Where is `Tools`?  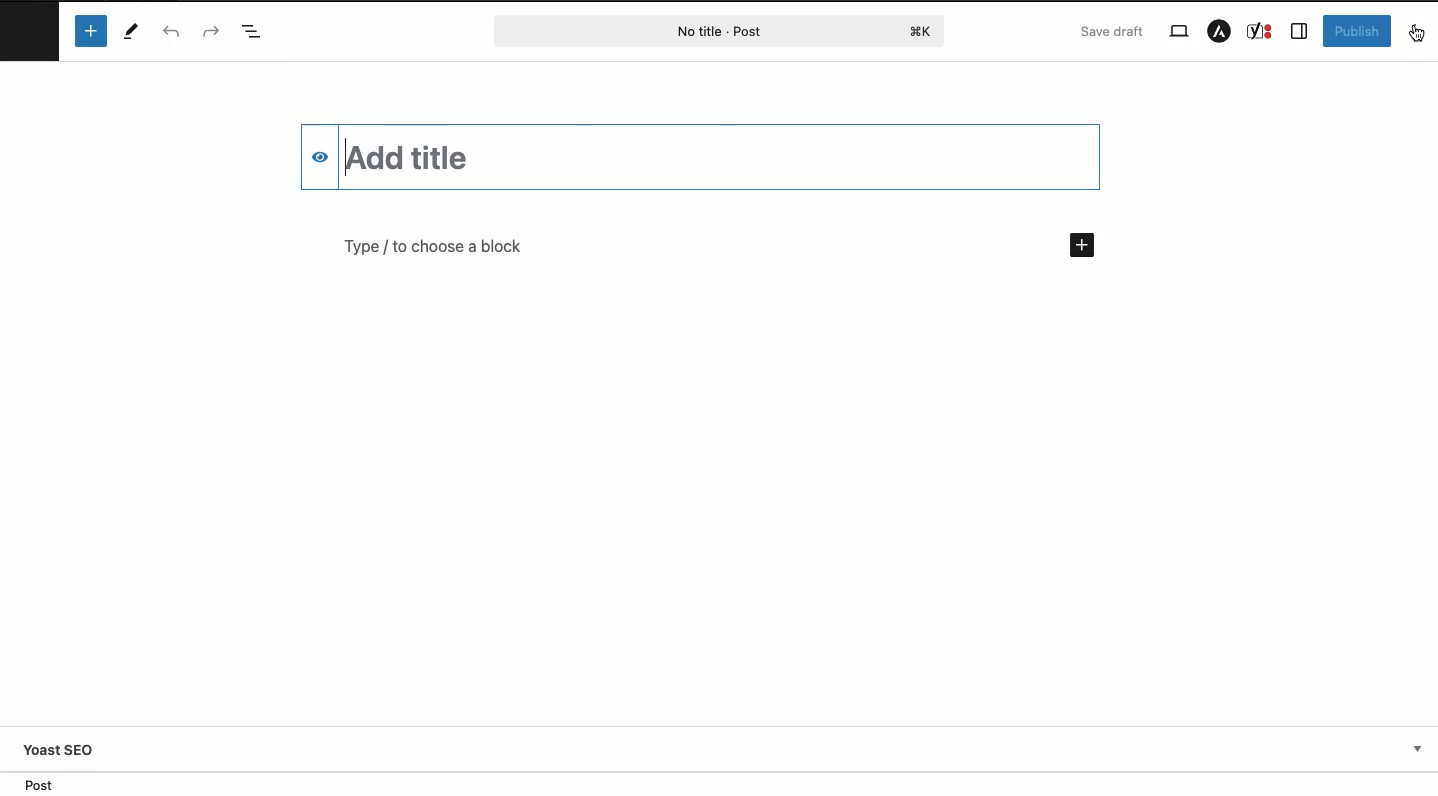
Tools is located at coordinates (132, 32).